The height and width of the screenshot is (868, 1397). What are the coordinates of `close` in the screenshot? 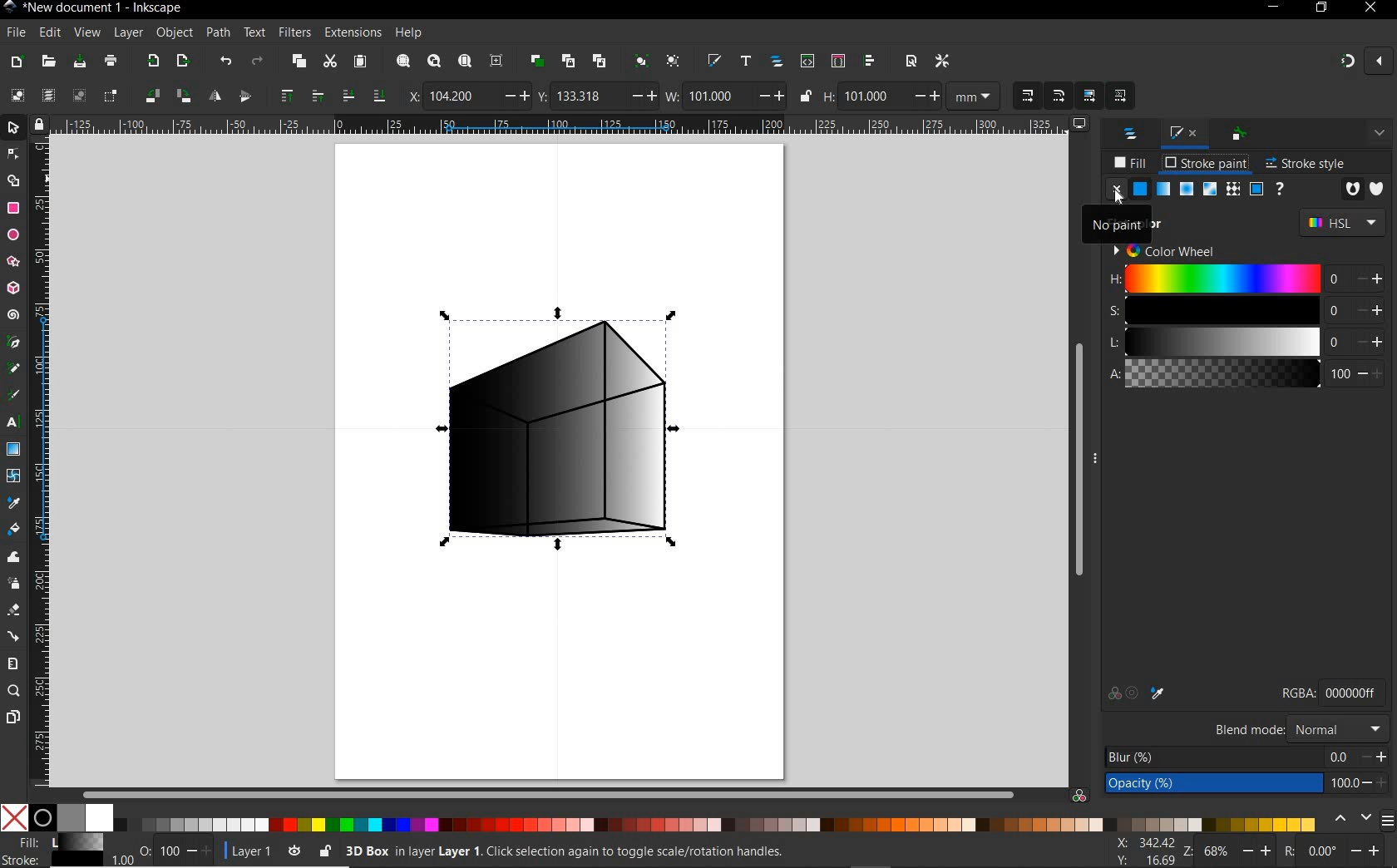 It's located at (1381, 62).